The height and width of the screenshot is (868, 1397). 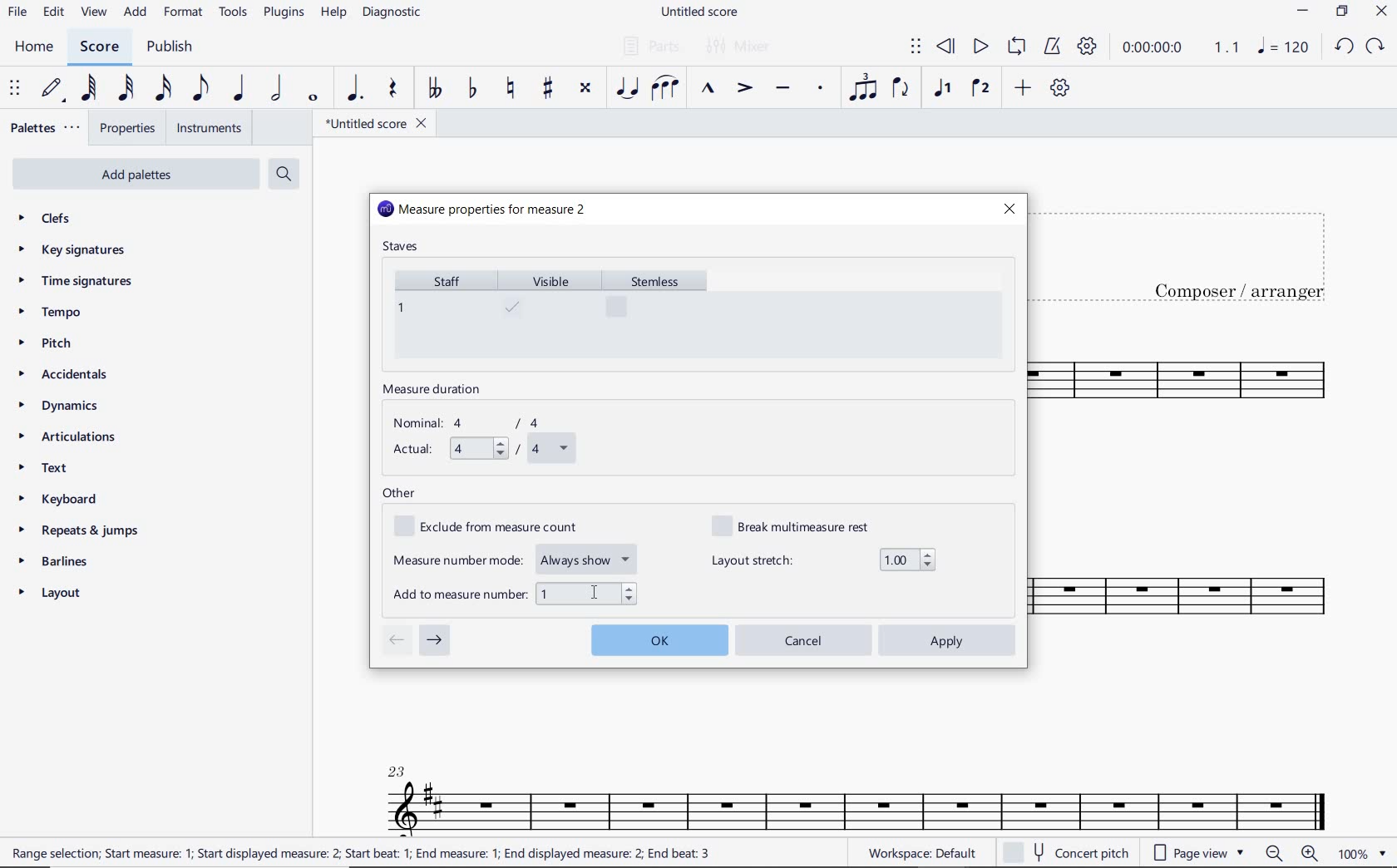 I want to click on DIAGNOSTIC, so click(x=397, y=13).